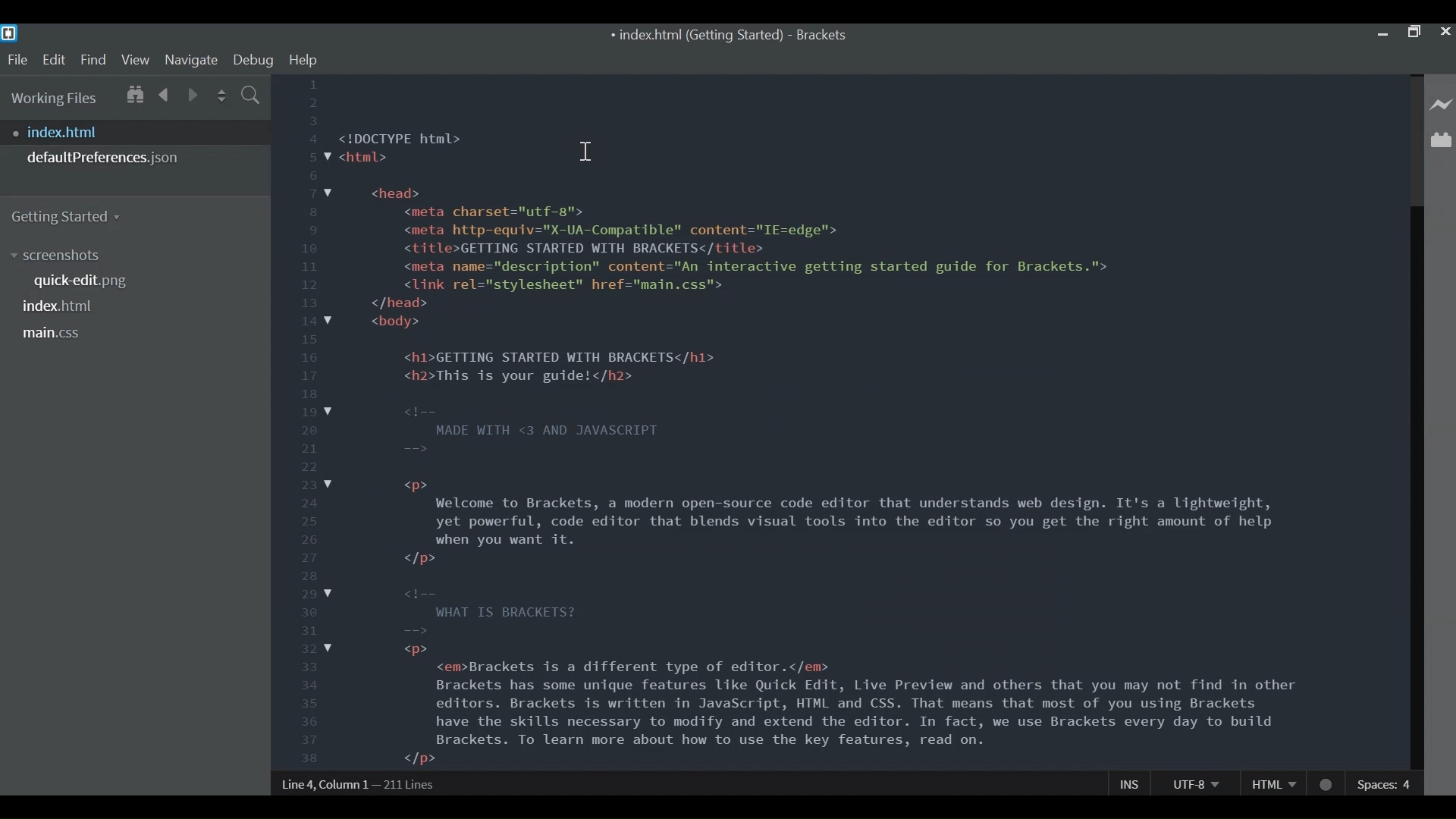 The image size is (1456, 819). I want to click on Live Preview, so click(1442, 105).